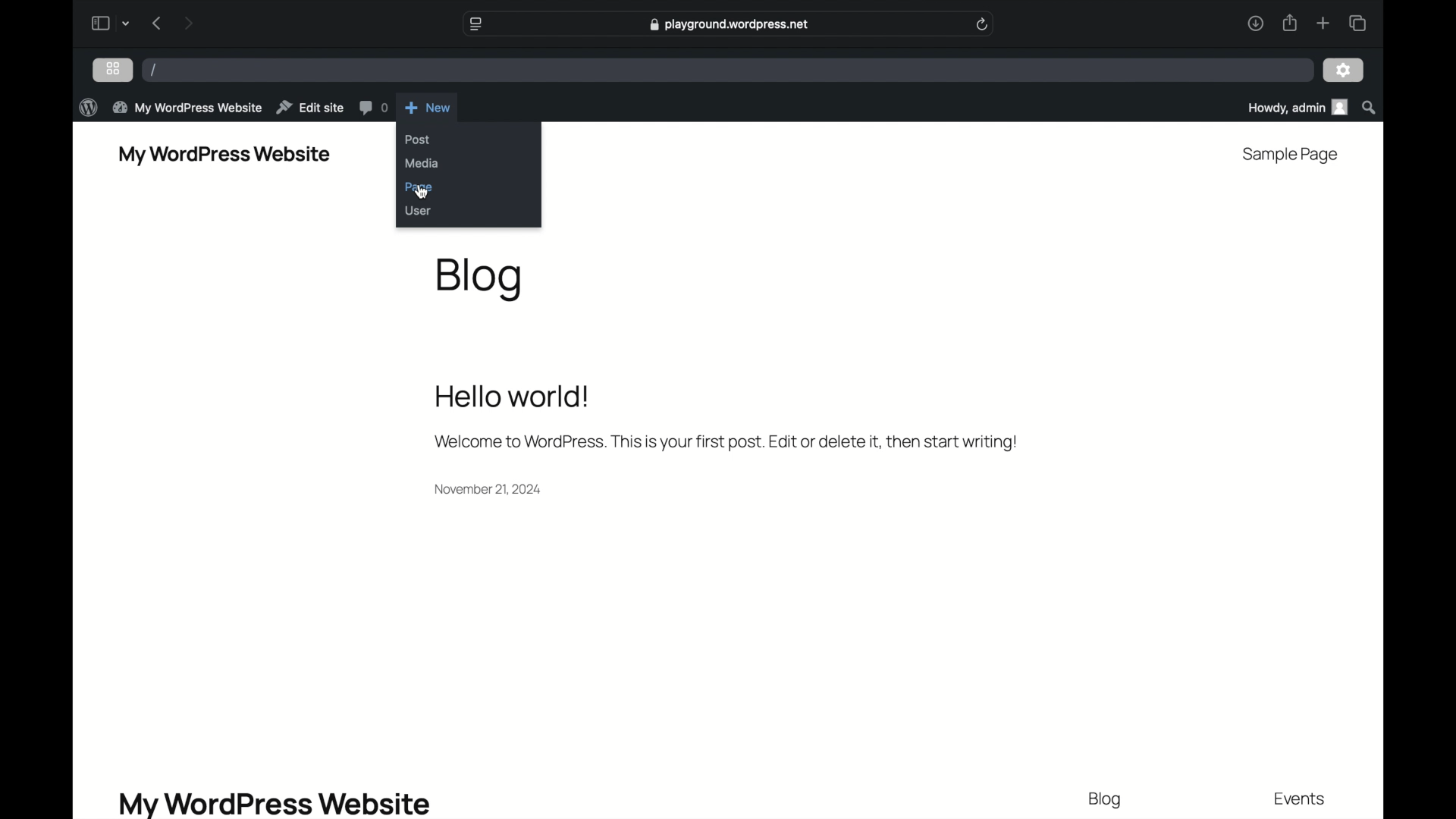  I want to click on search, so click(1370, 108).